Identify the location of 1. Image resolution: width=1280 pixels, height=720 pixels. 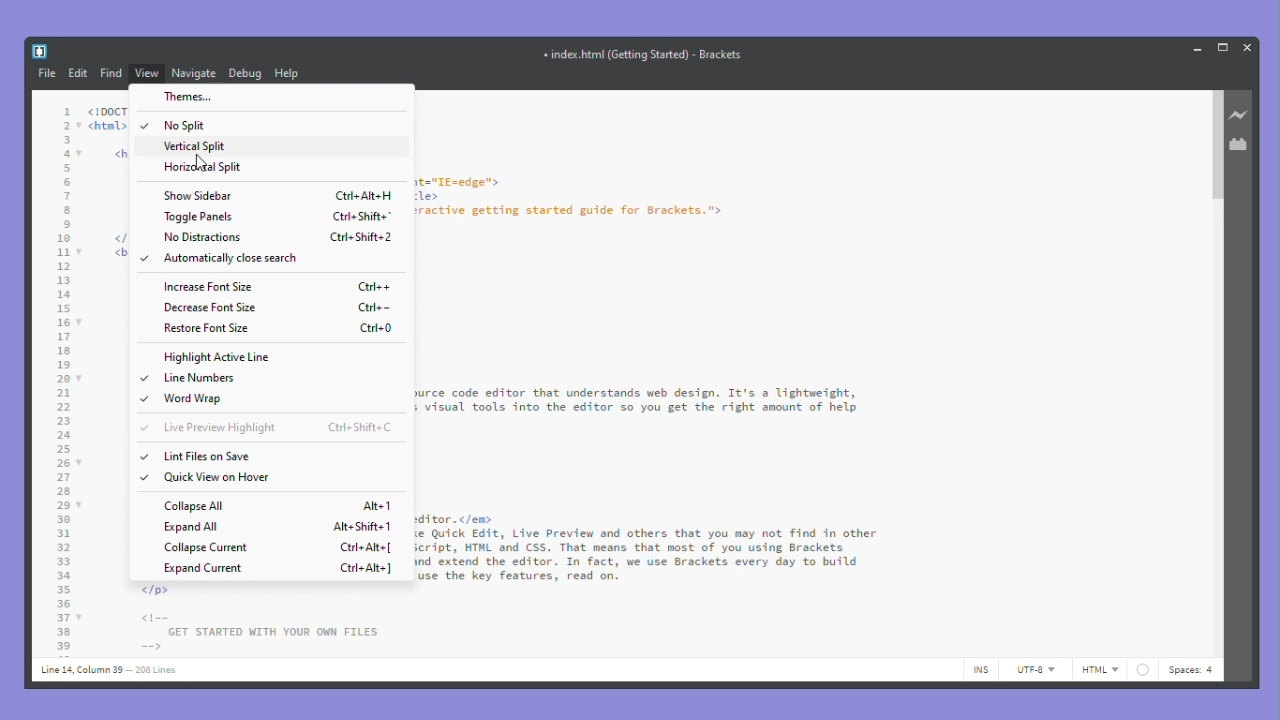
(67, 111).